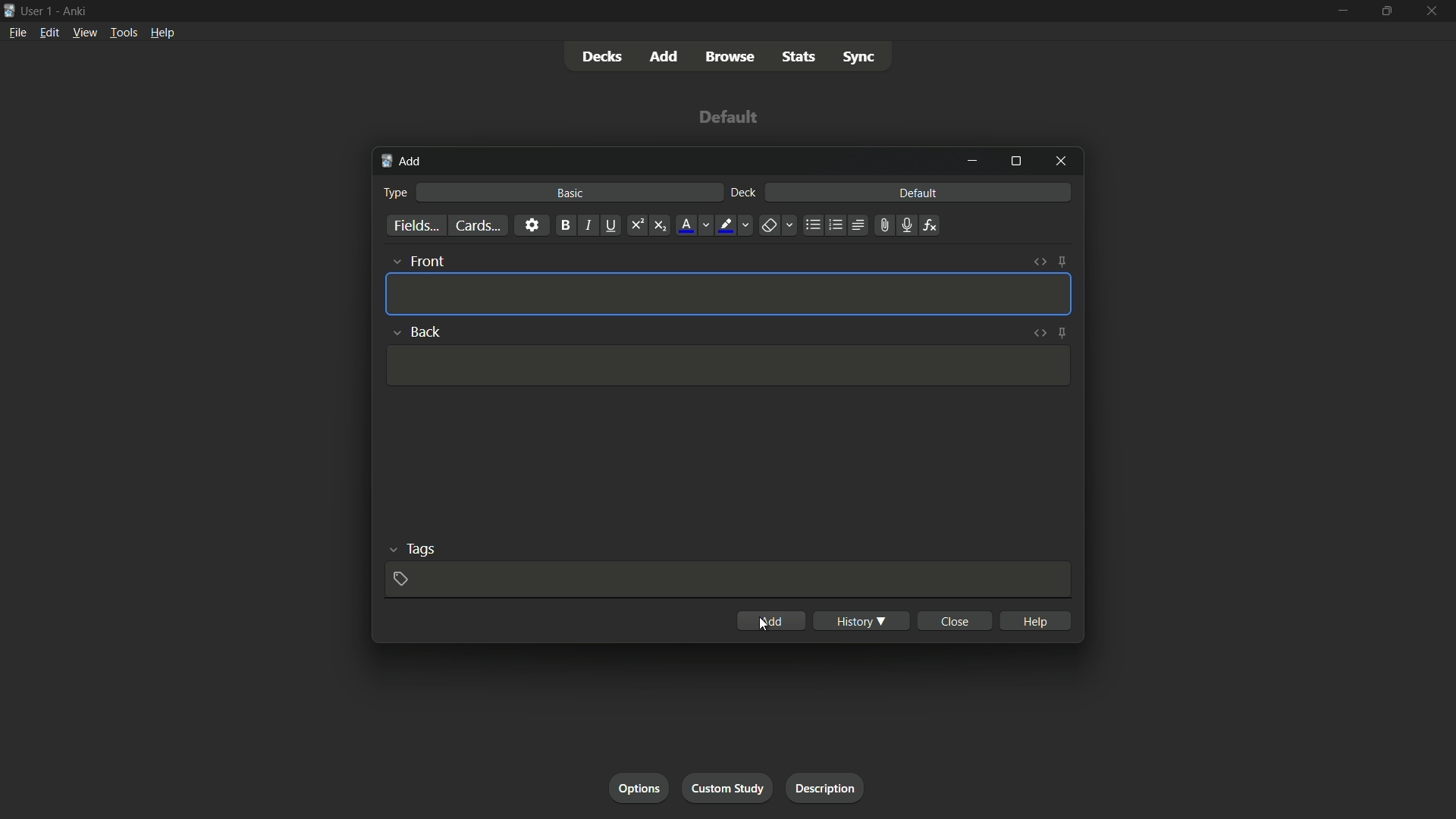 This screenshot has width=1456, height=819. What do you see at coordinates (859, 57) in the screenshot?
I see `sync` at bounding box center [859, 57].